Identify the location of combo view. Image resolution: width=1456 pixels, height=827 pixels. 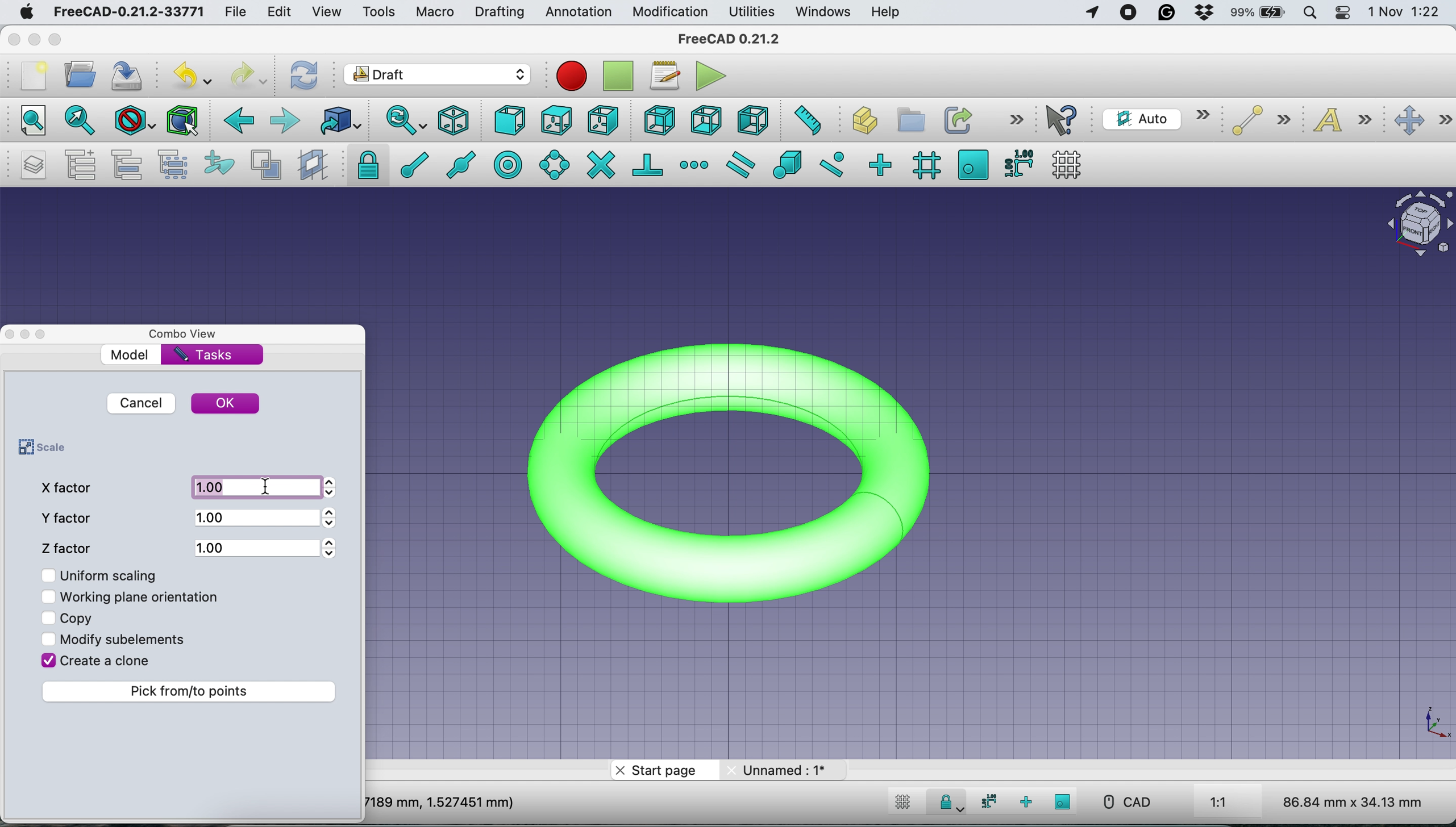
(190, 335).